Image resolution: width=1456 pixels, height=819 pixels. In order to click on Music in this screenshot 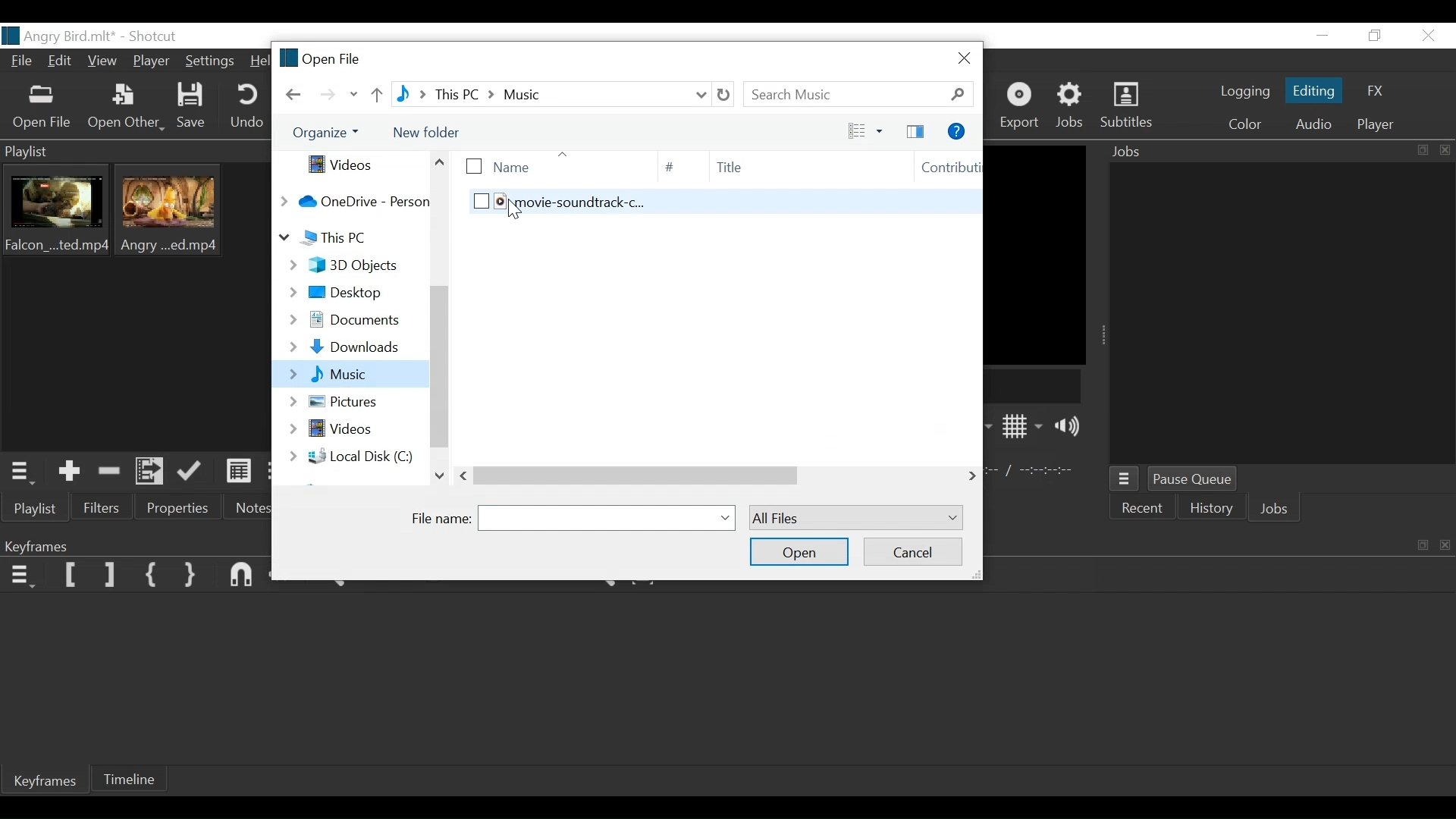, I will do `click(348, 374)`.